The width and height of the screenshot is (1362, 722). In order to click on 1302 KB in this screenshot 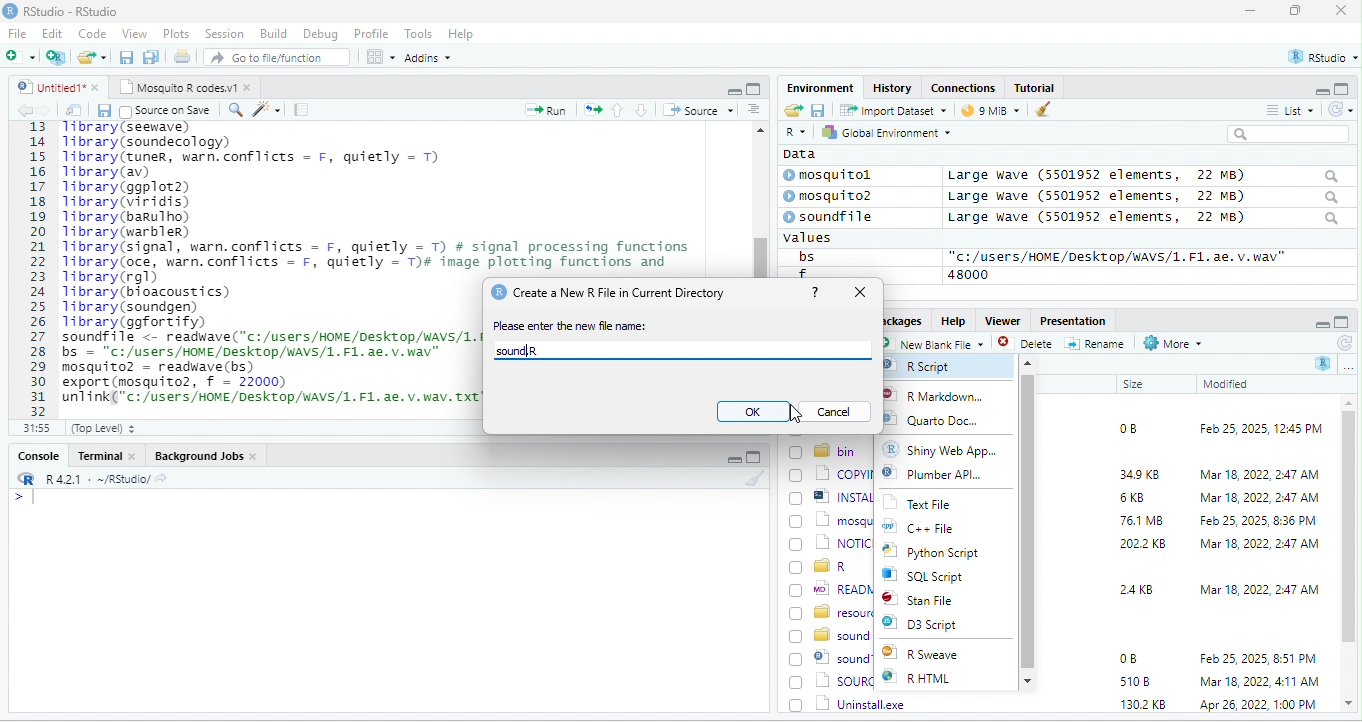, I will do `click(1145, 704)`.